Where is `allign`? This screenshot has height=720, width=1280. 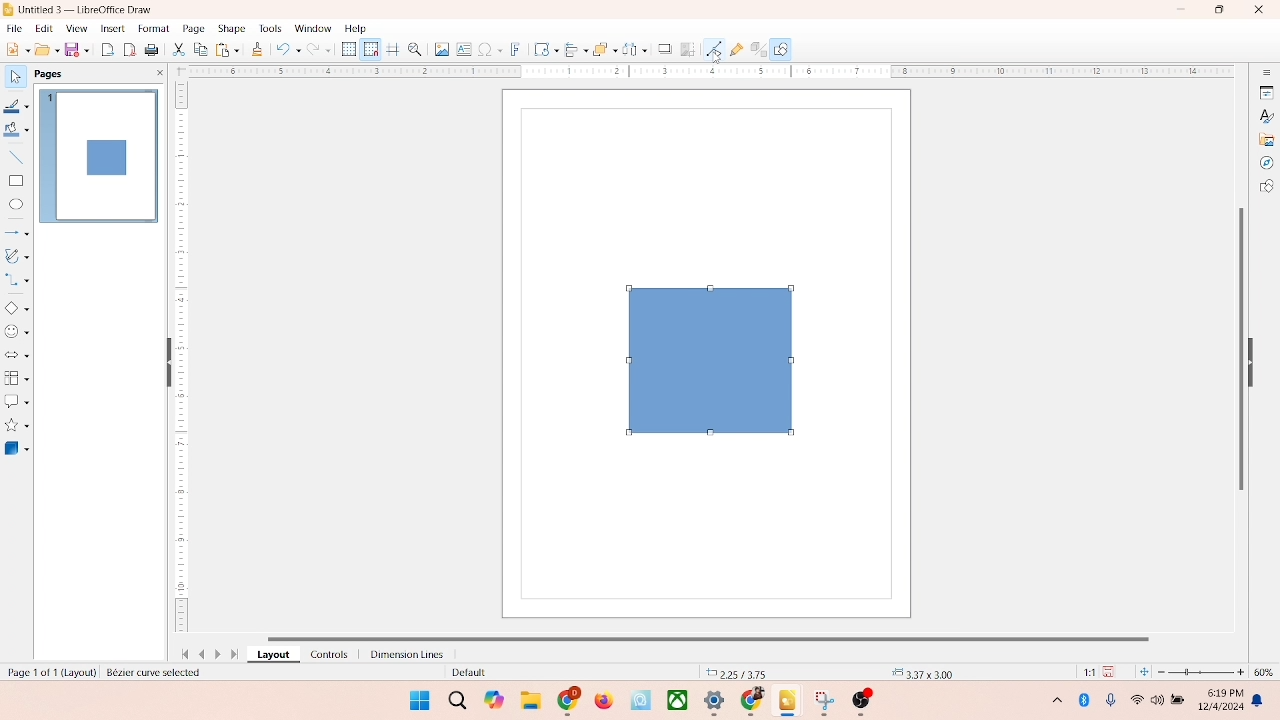
allign is located at coordinates (572, 47).